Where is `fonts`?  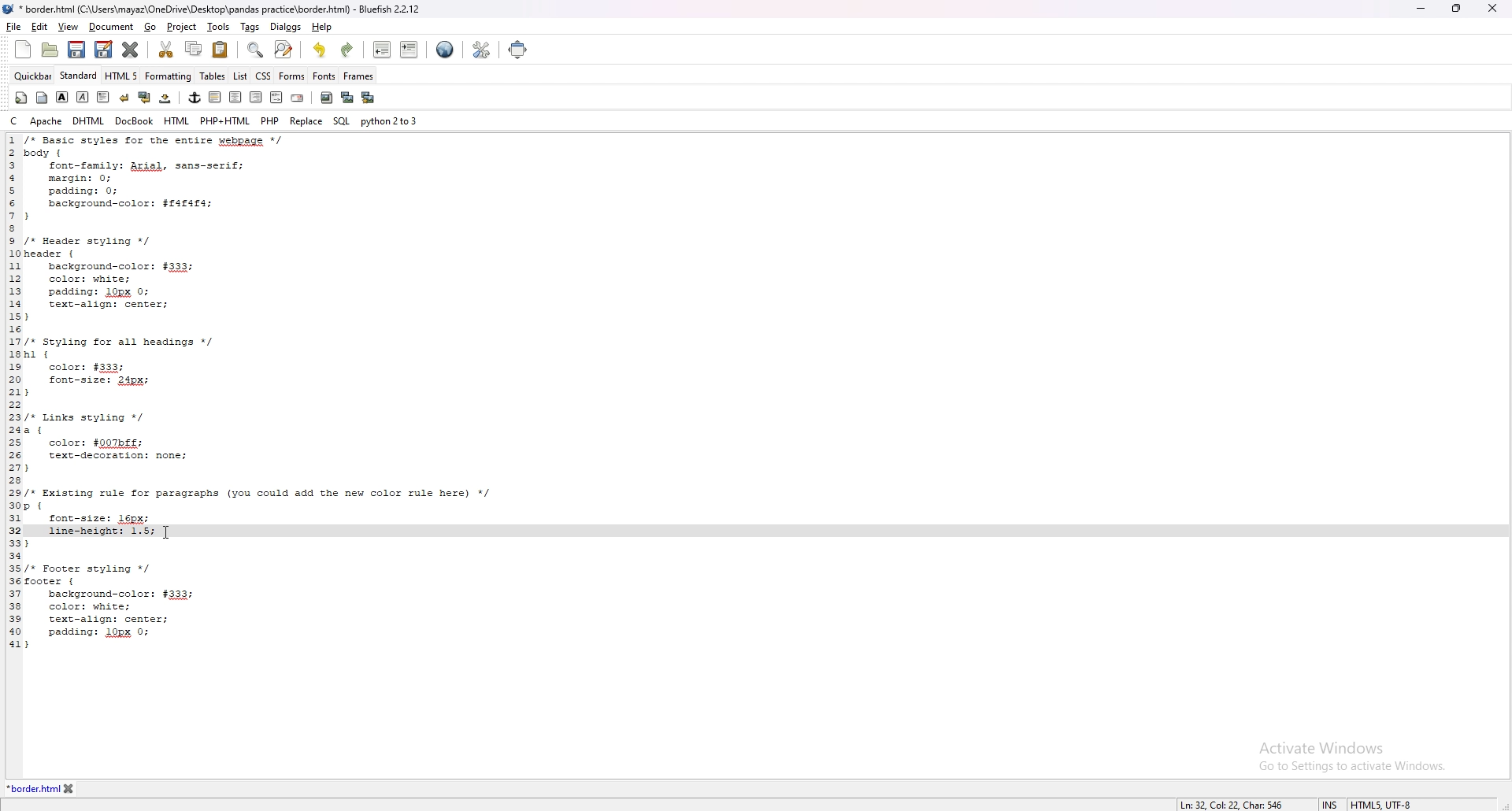 fonts is located at coordinates (324, 76).